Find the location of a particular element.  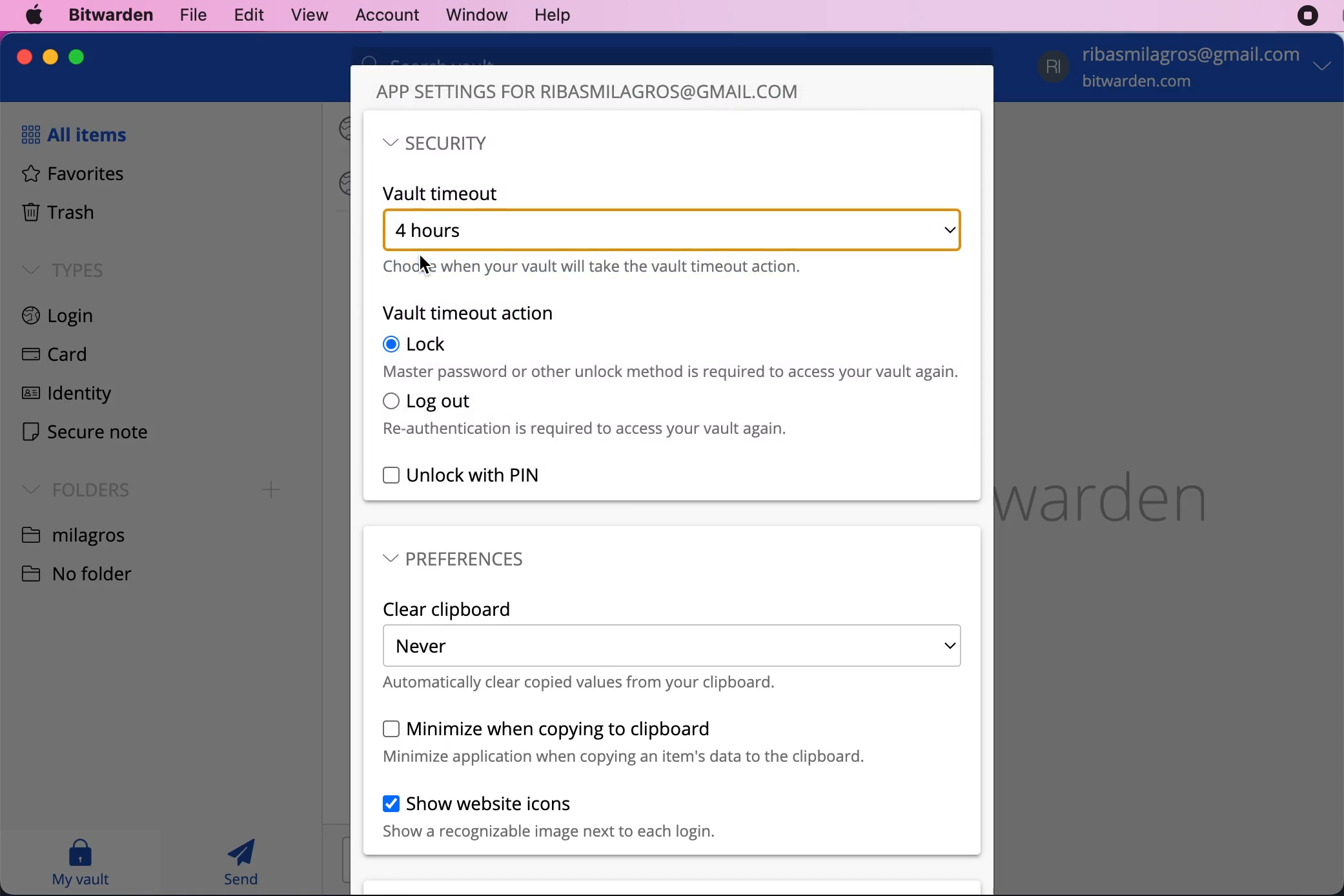

login is located at coordinates (74, 318).